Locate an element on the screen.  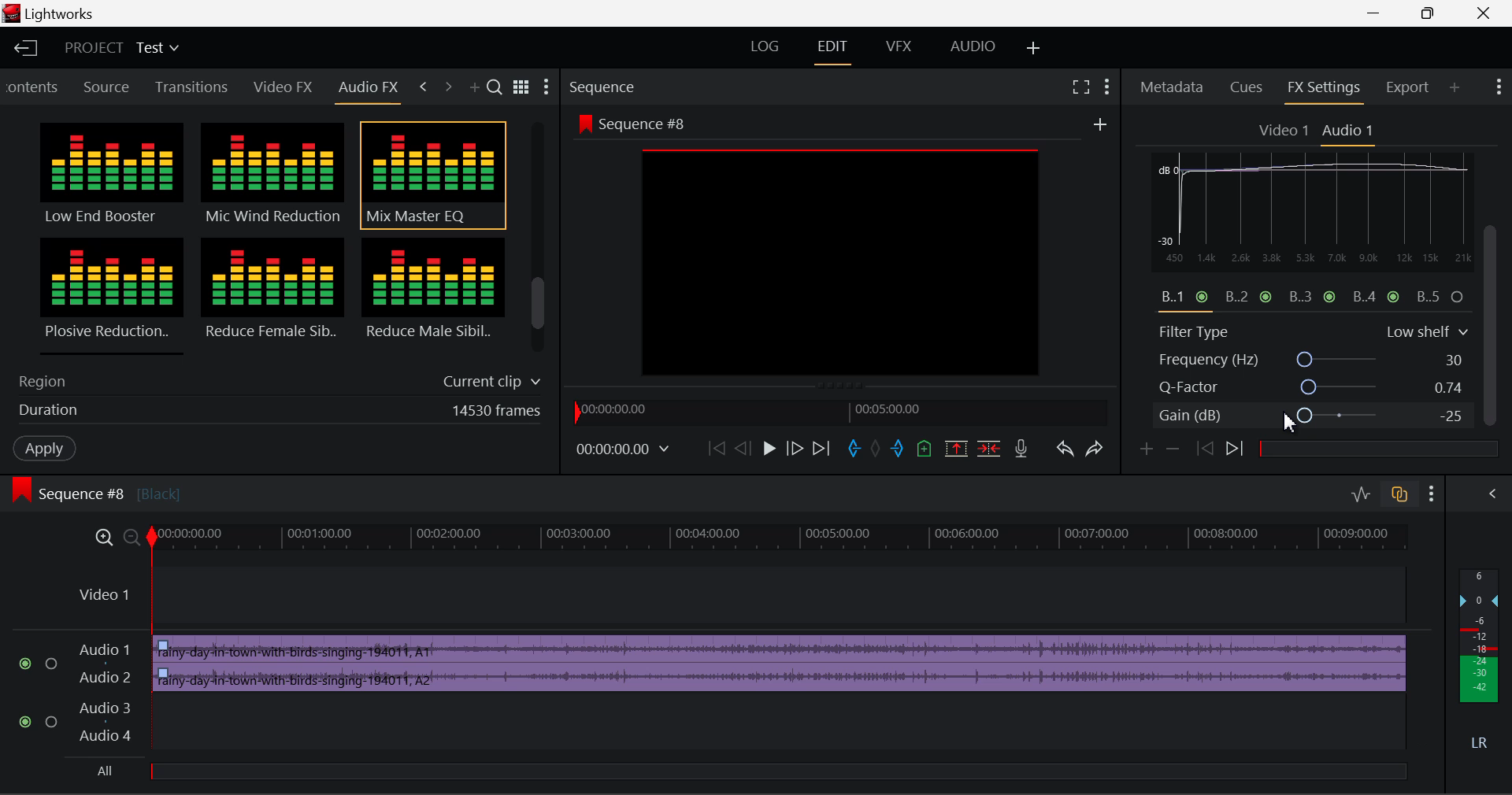
Source is located at coordinates (109, 87).